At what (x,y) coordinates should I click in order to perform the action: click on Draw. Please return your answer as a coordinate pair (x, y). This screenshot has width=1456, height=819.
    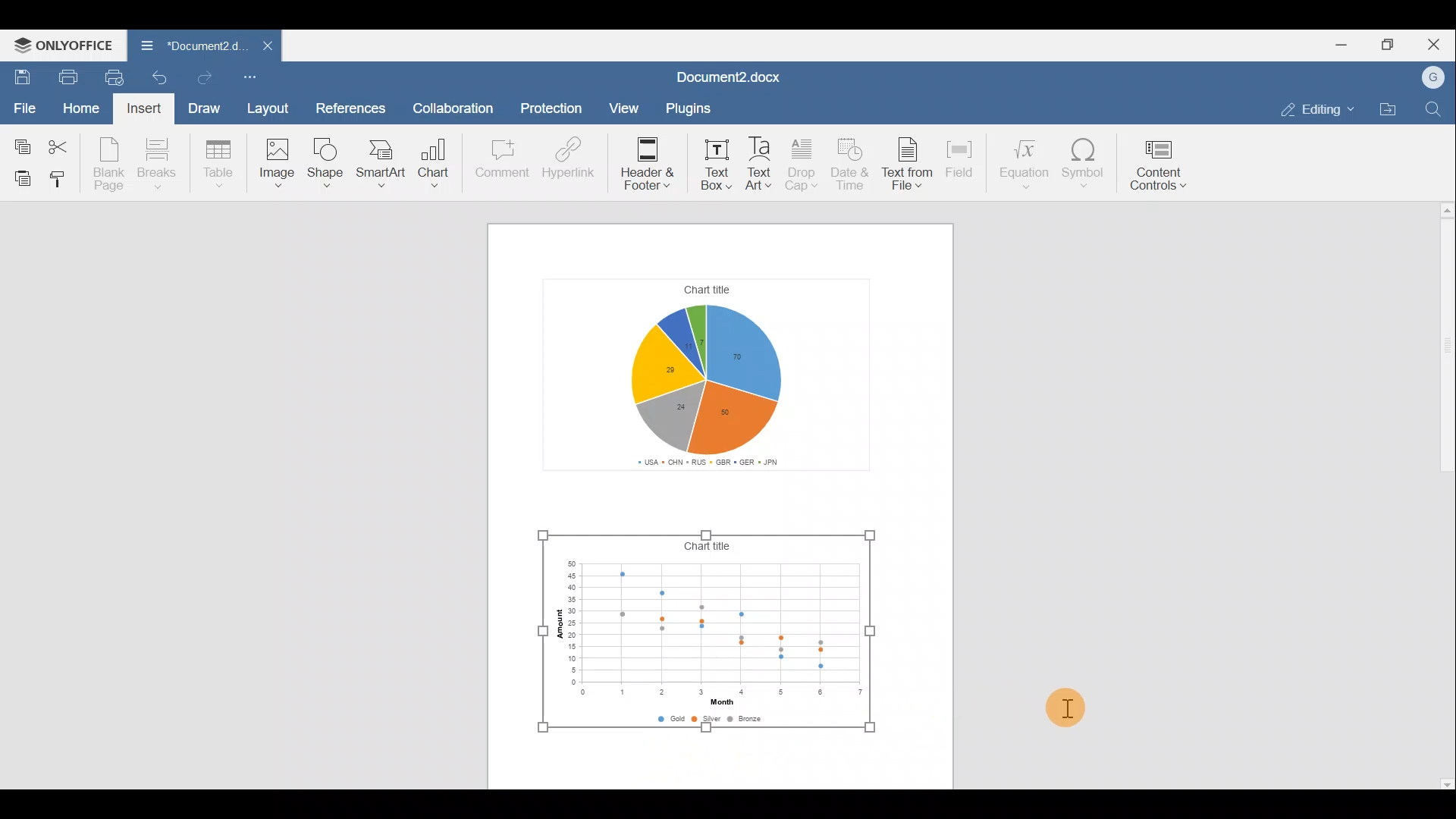
    Looking at the image, I should click on (206, 110).